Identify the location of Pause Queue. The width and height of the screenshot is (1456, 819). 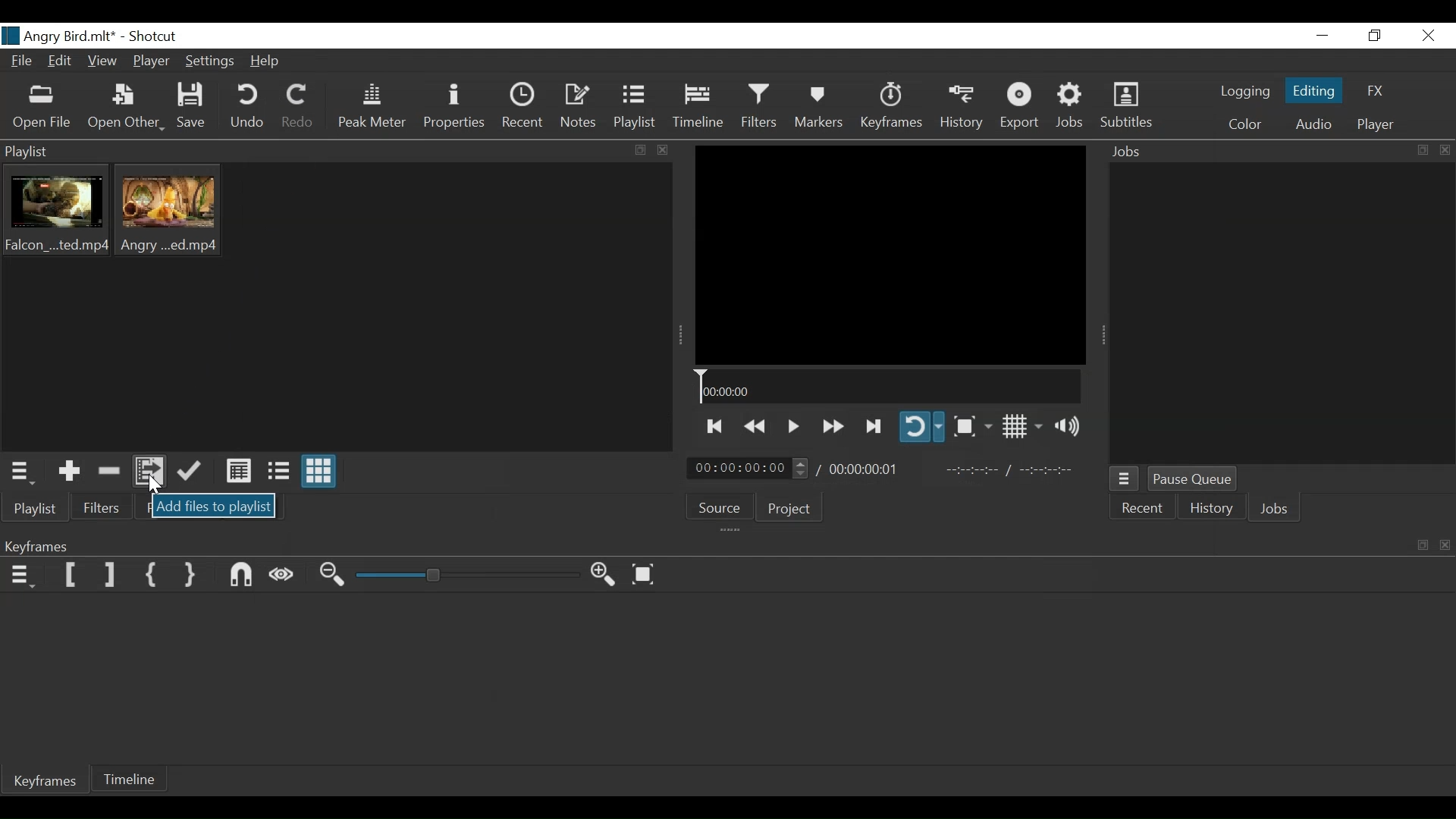
(1191, 479).